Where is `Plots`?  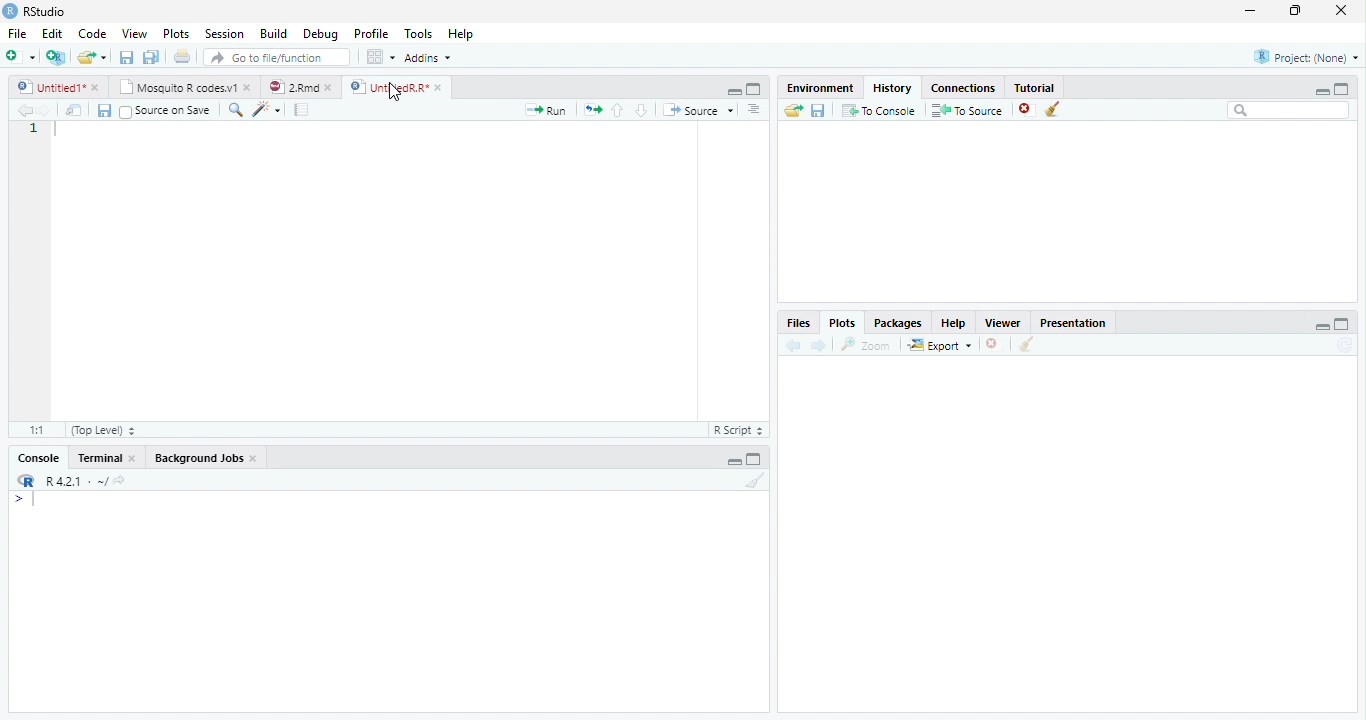
Plots is located at coordinates (175, 33).